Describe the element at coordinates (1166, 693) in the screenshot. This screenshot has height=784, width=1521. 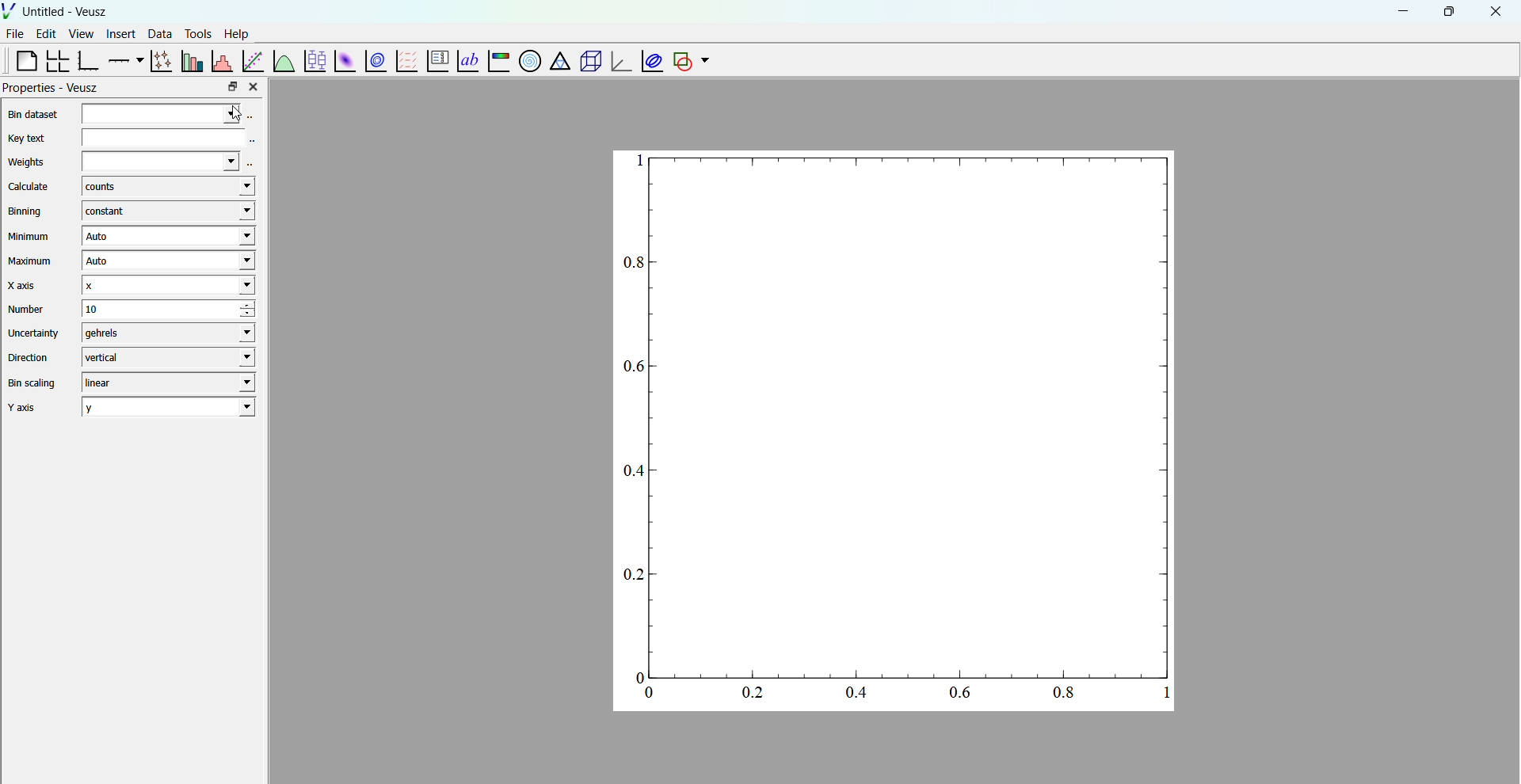
I see `1` at that location.